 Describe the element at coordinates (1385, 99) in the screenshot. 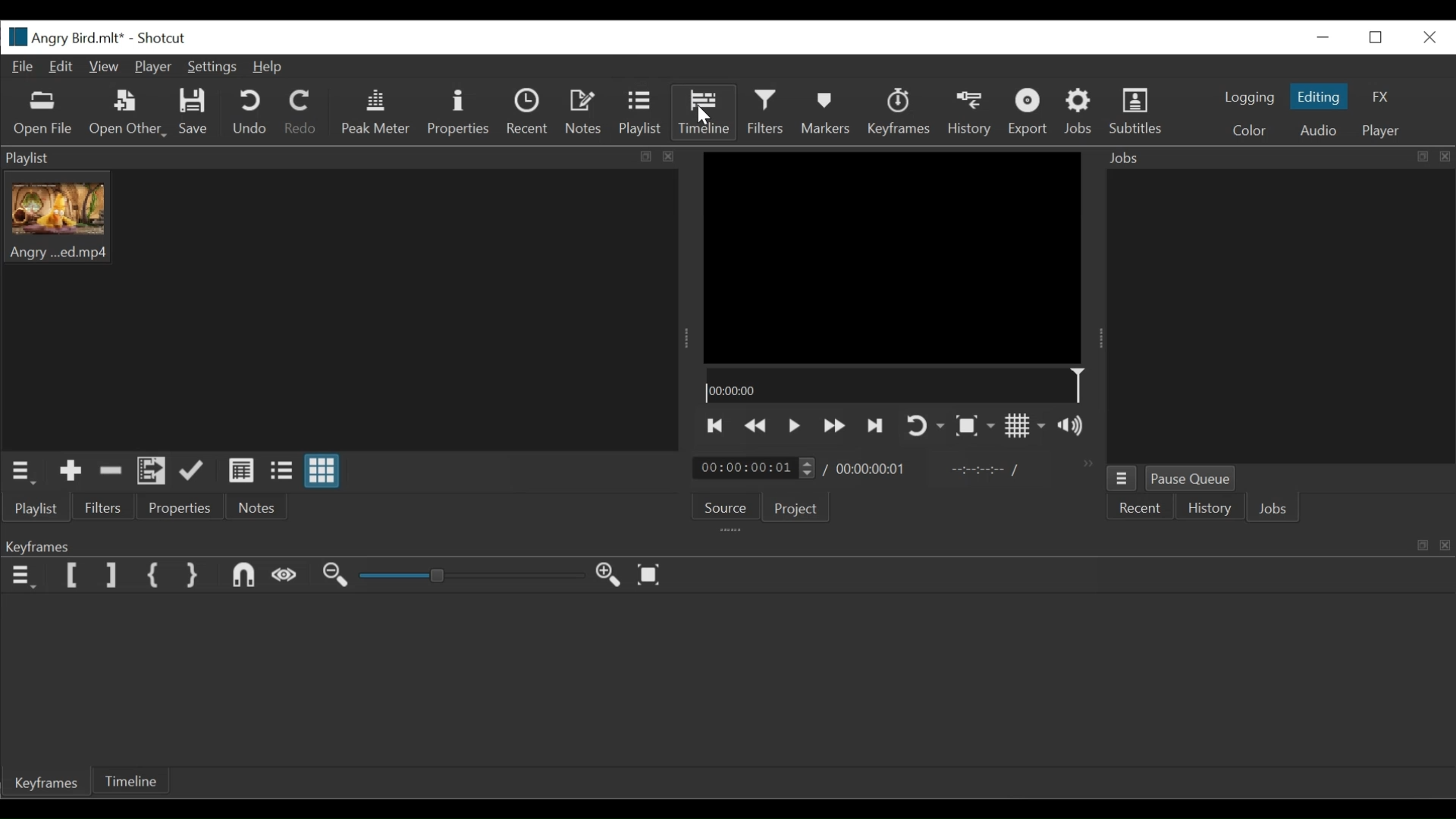

I see `FX` at that location.